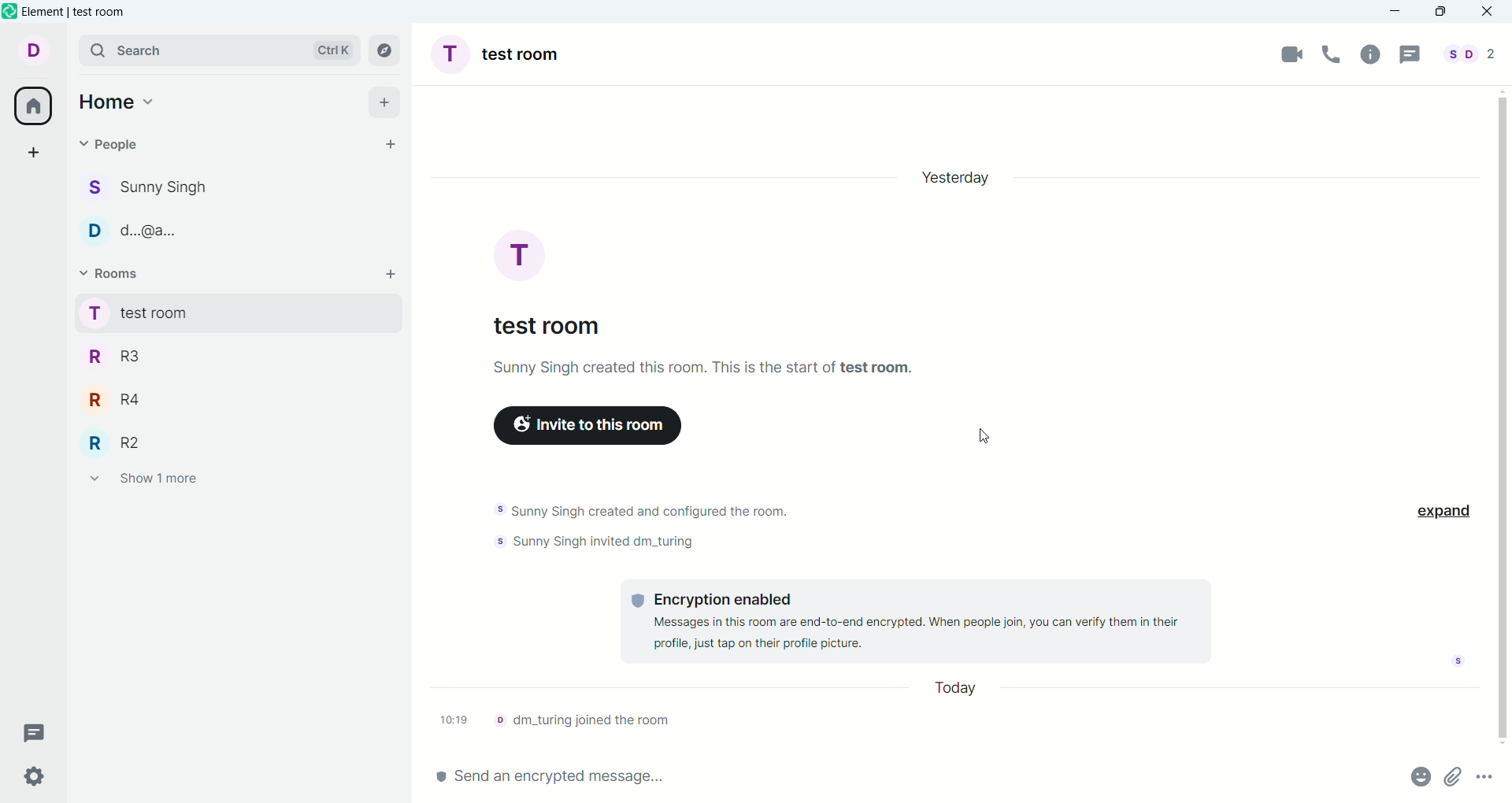 The image size is (1512, 803). Describe the element at coordinates (231, 187) in the screenshot. I see `sunny singh` at that location.